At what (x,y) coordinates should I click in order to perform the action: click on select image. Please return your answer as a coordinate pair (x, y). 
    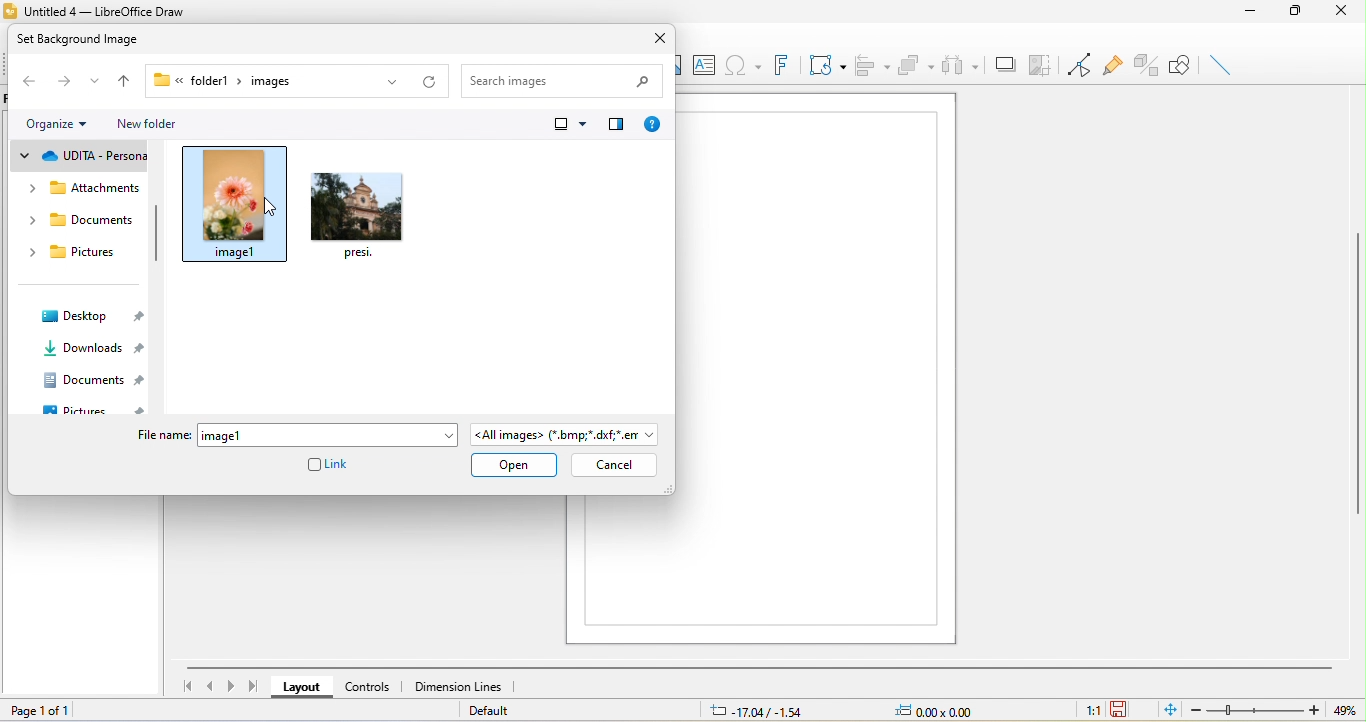
    Looking at the image, I should click on (236, 205).